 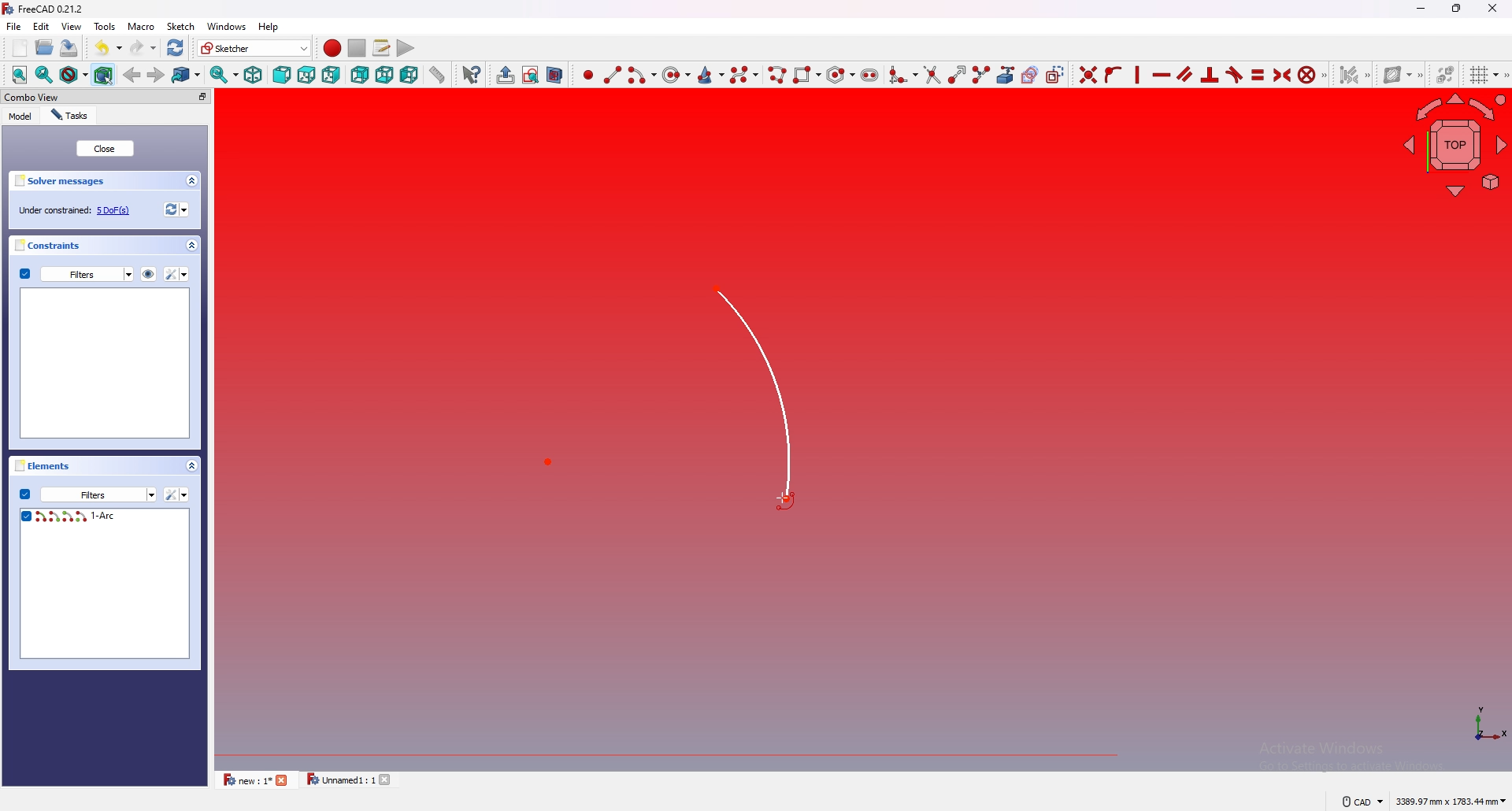 What do you see at coordinates (1401, 74) in the screenshot?
I see `show B-Spline information layer` at bounding box center [1401, 74].